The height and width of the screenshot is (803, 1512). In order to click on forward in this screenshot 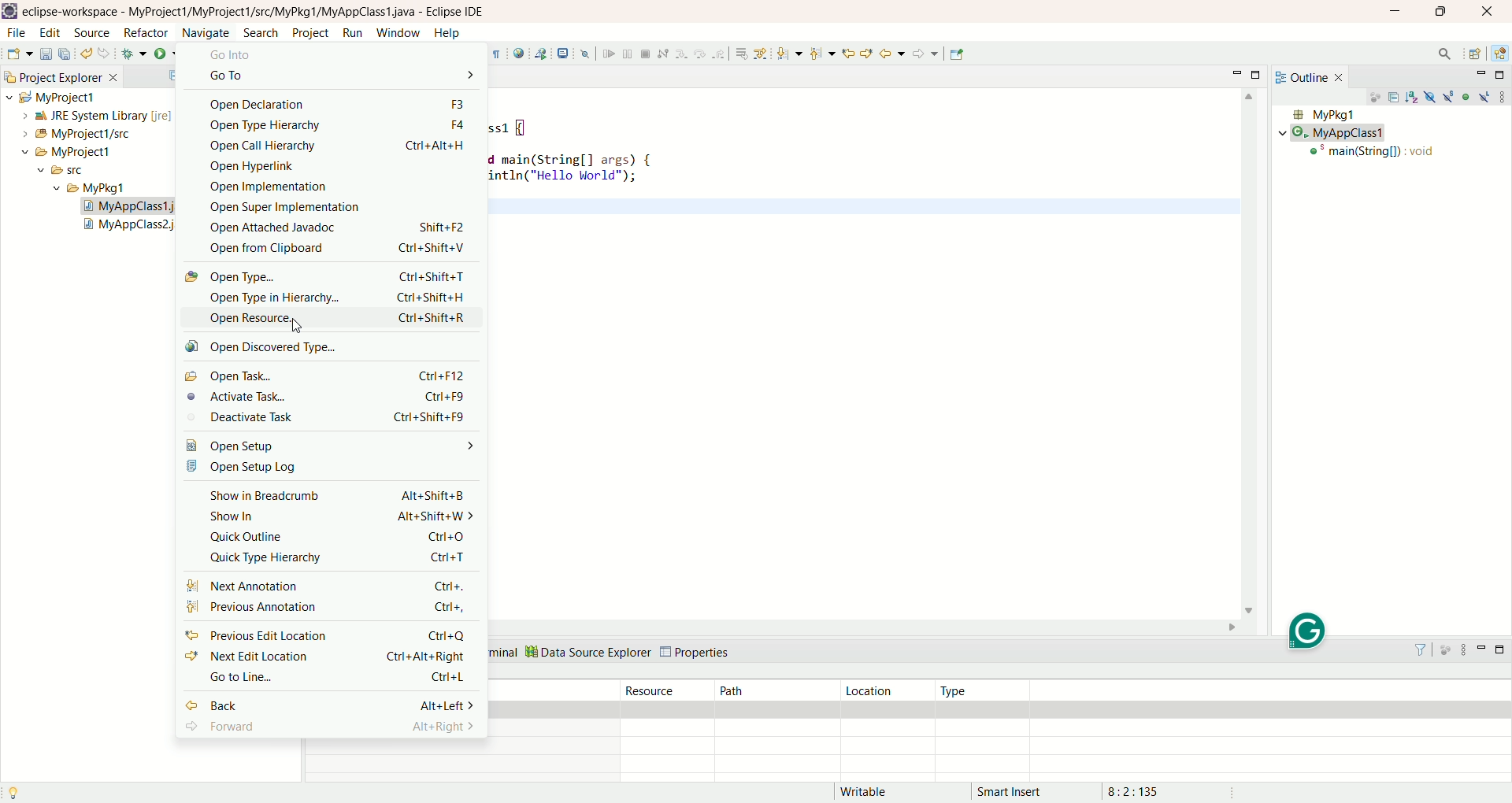, I will do `click(925, 54)`.